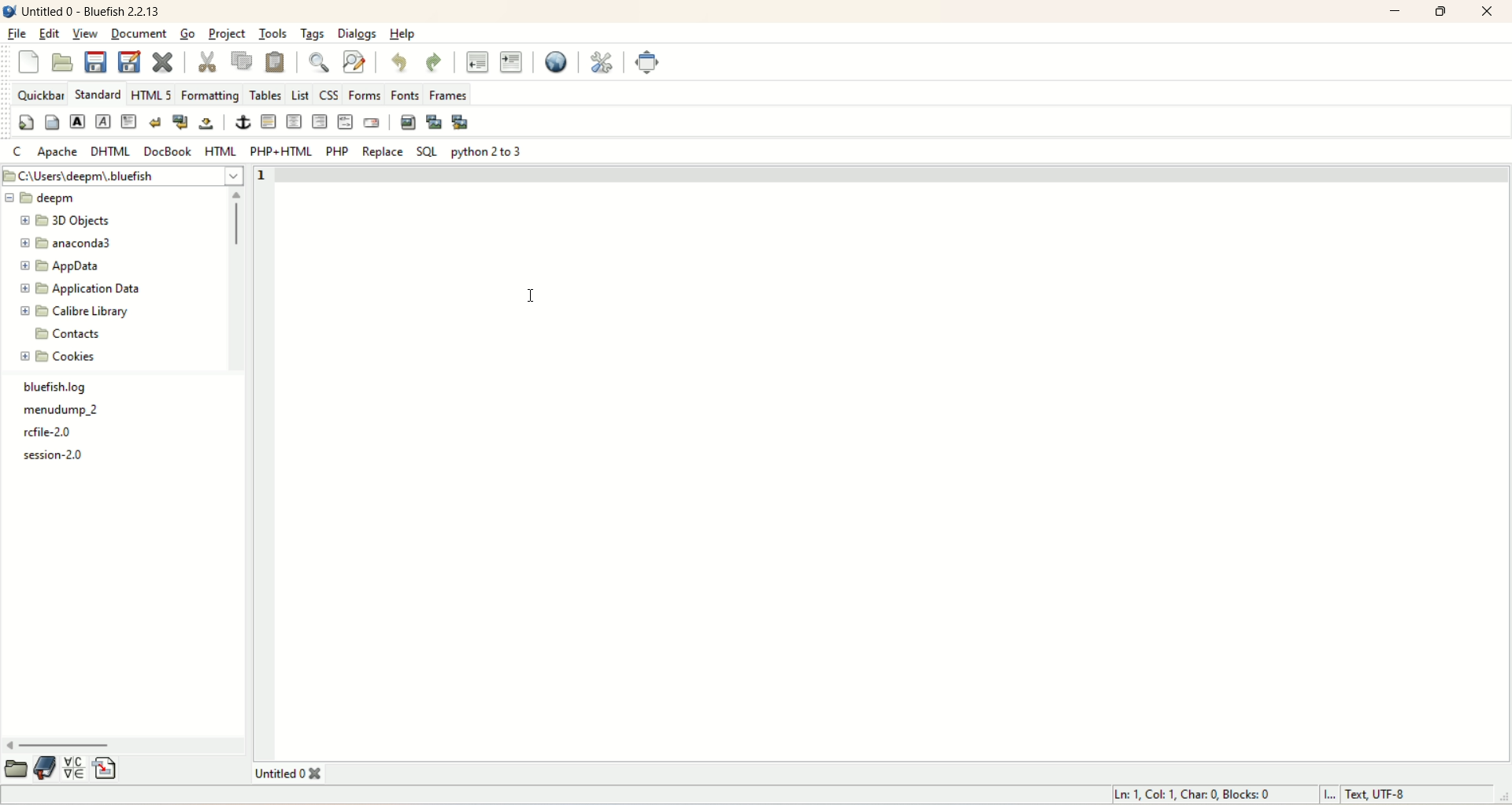 Image resolution: width=1512 pixels, height=805 pixels. What do you see at coordinates (272, 35) in the screenshot?
I see `tools` at bounding box center [272, 35].